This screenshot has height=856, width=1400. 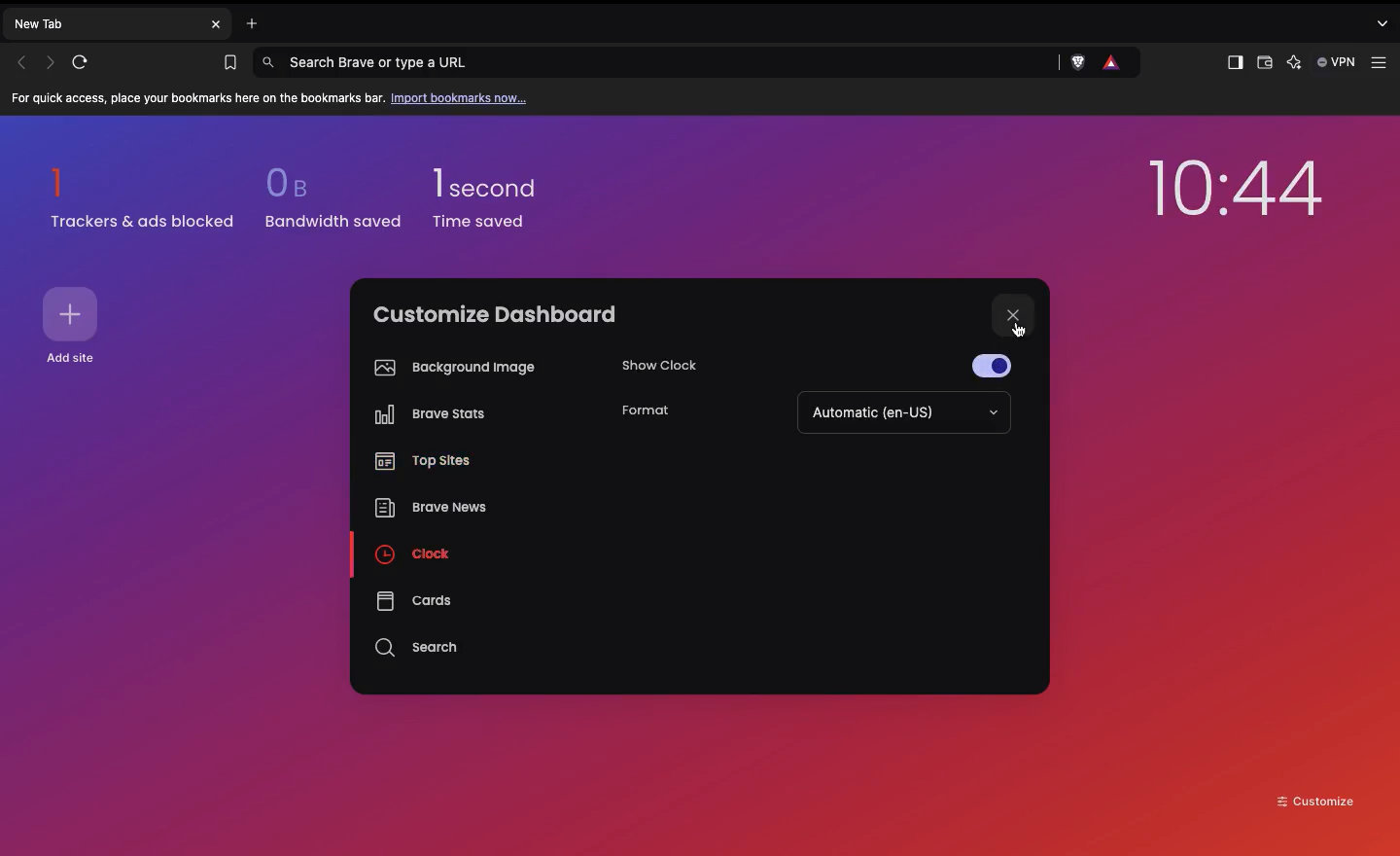 I want to click on 0b bandwidth saved, so click(x=328, y=202).